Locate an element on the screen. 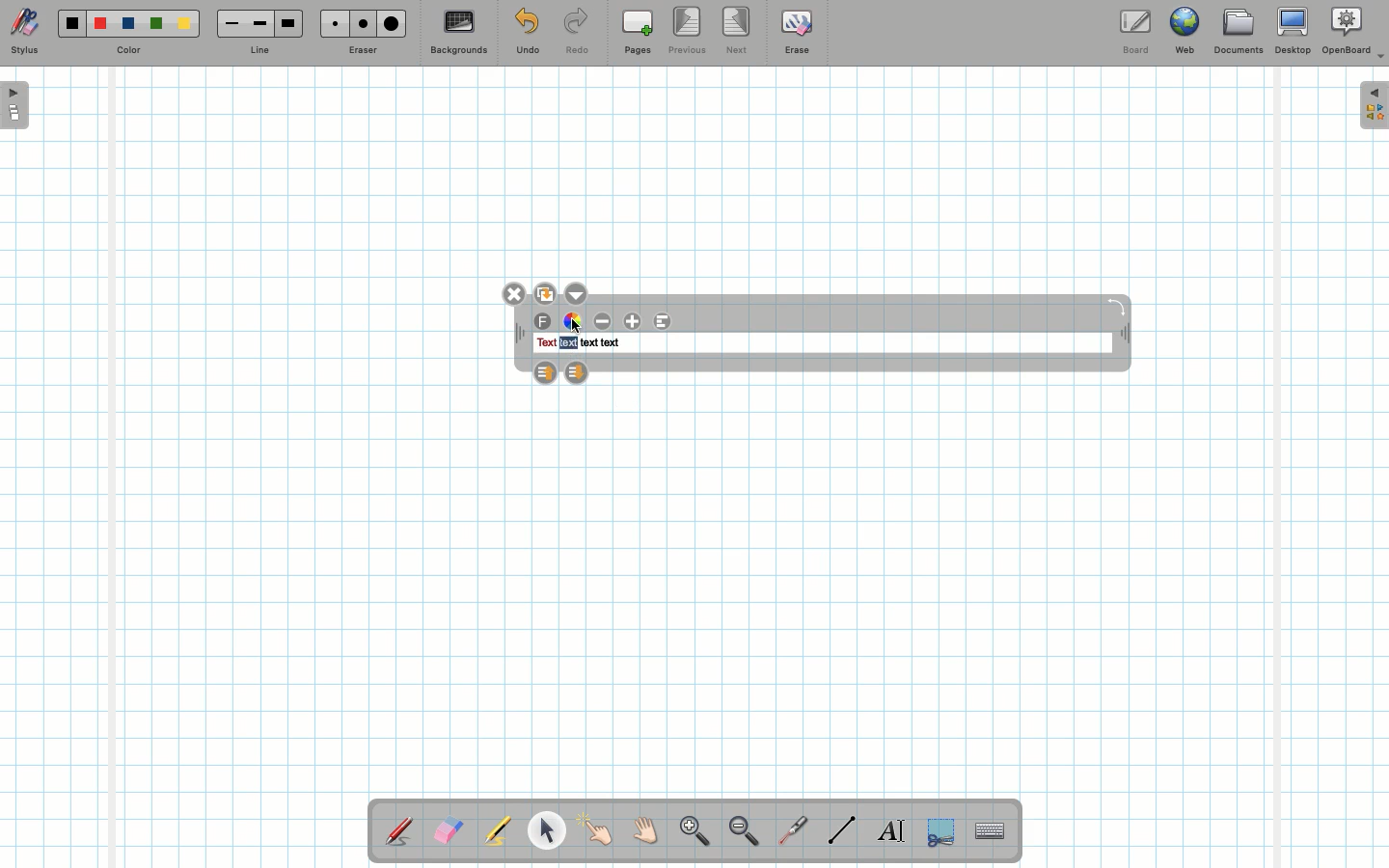 The width and height of the screenshot is (1389, 868). text is located at coordinates (589, 343).